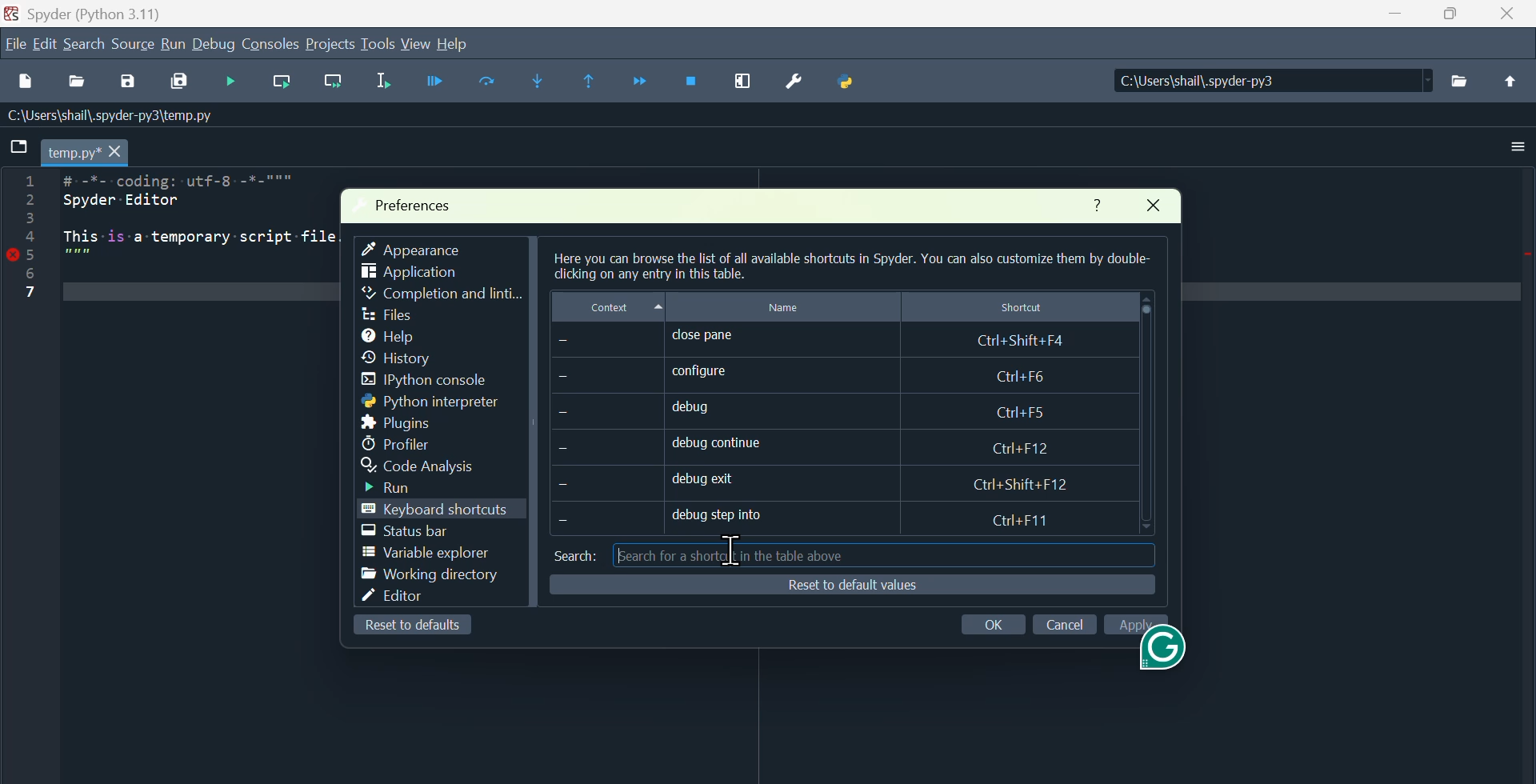 Image resolution: width=1536 pixels, height=784 pixels. Describe the element at coordinates (27, 85) in the screenshot. I see `New file` at that location.